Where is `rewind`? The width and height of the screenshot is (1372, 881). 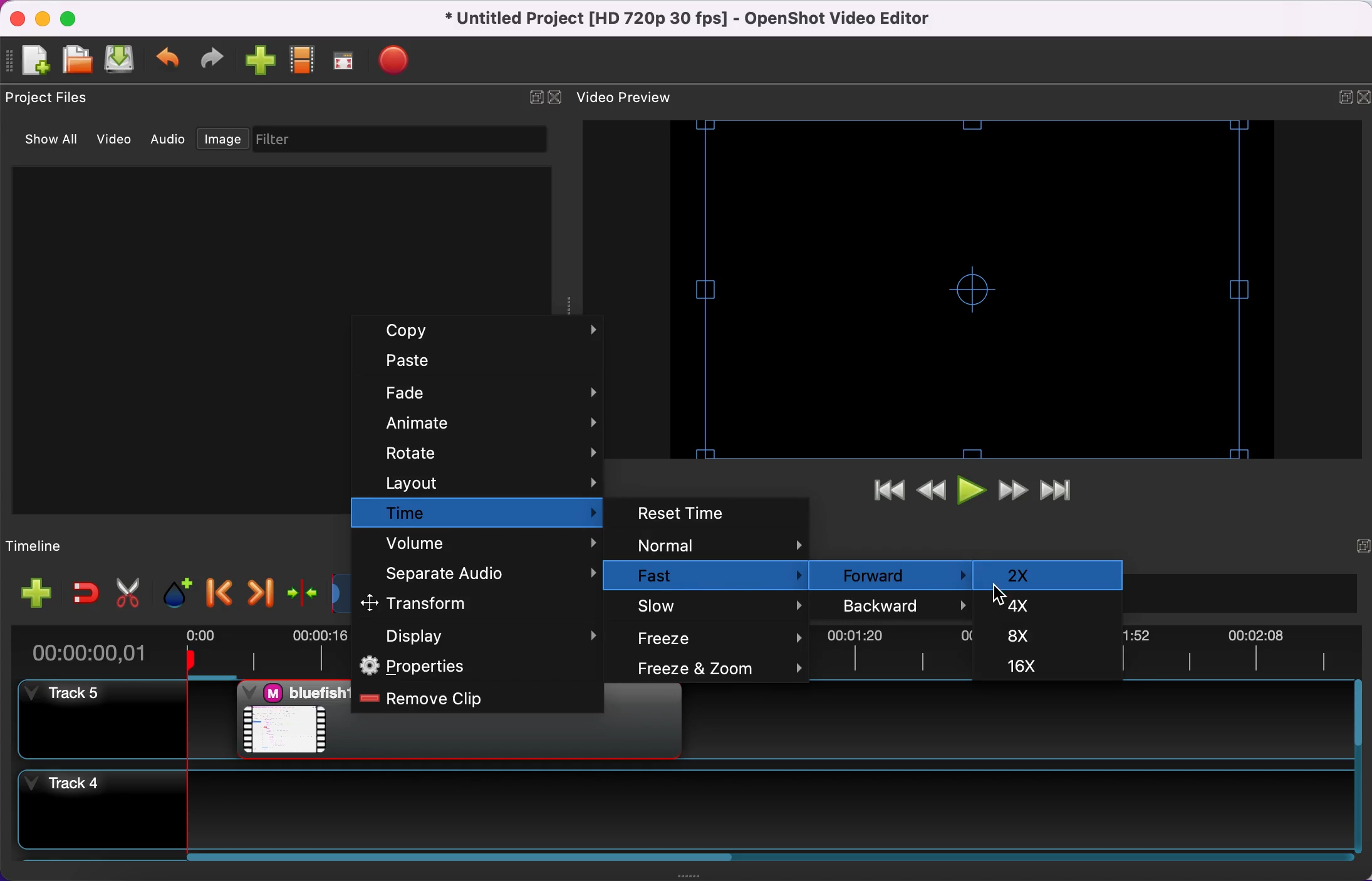
rewind is located at coordinates (928, 495).